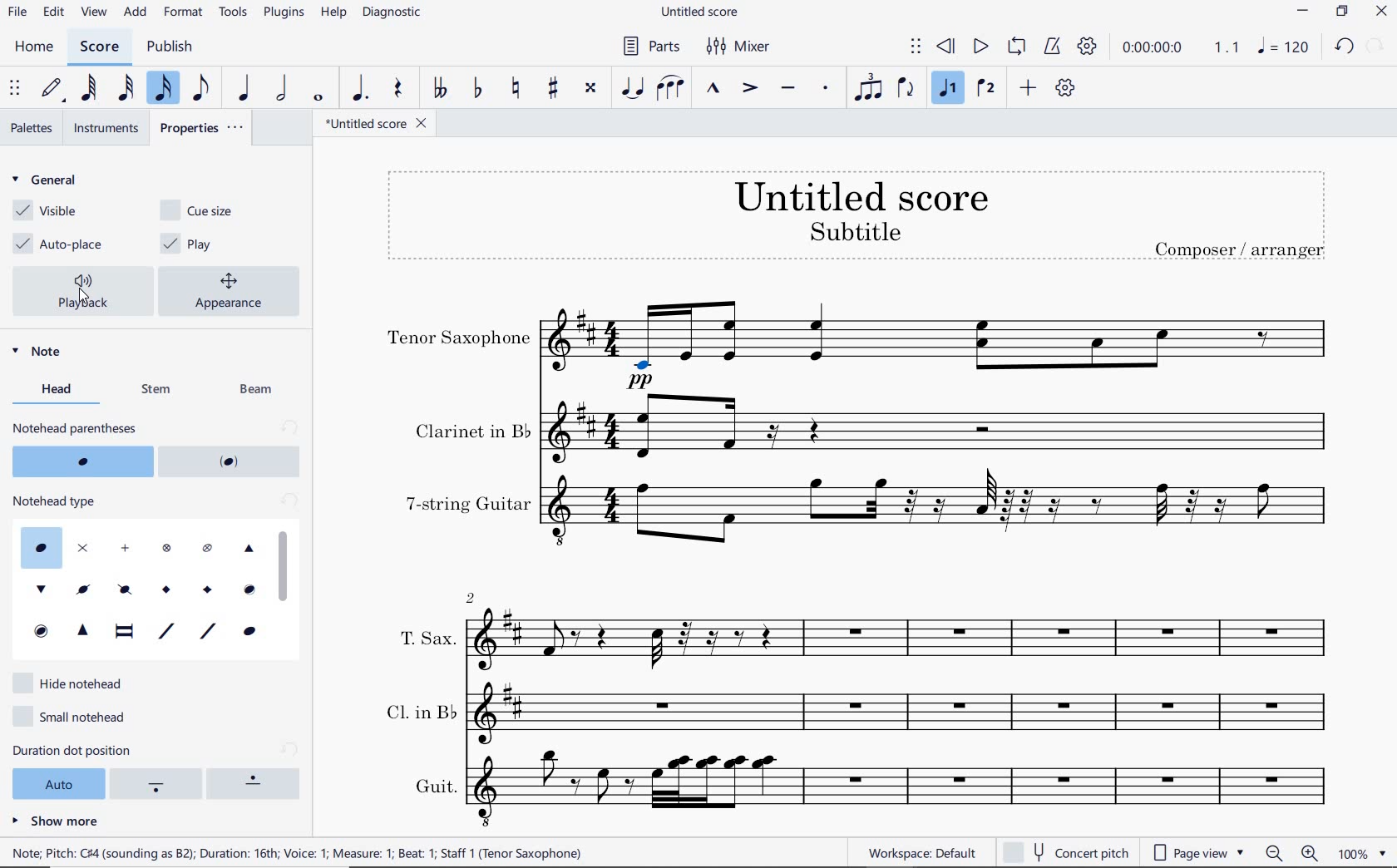  What do you see at coordinates (861, 195) in the screenshot?
I see `text` at bounding box center [861, 195].